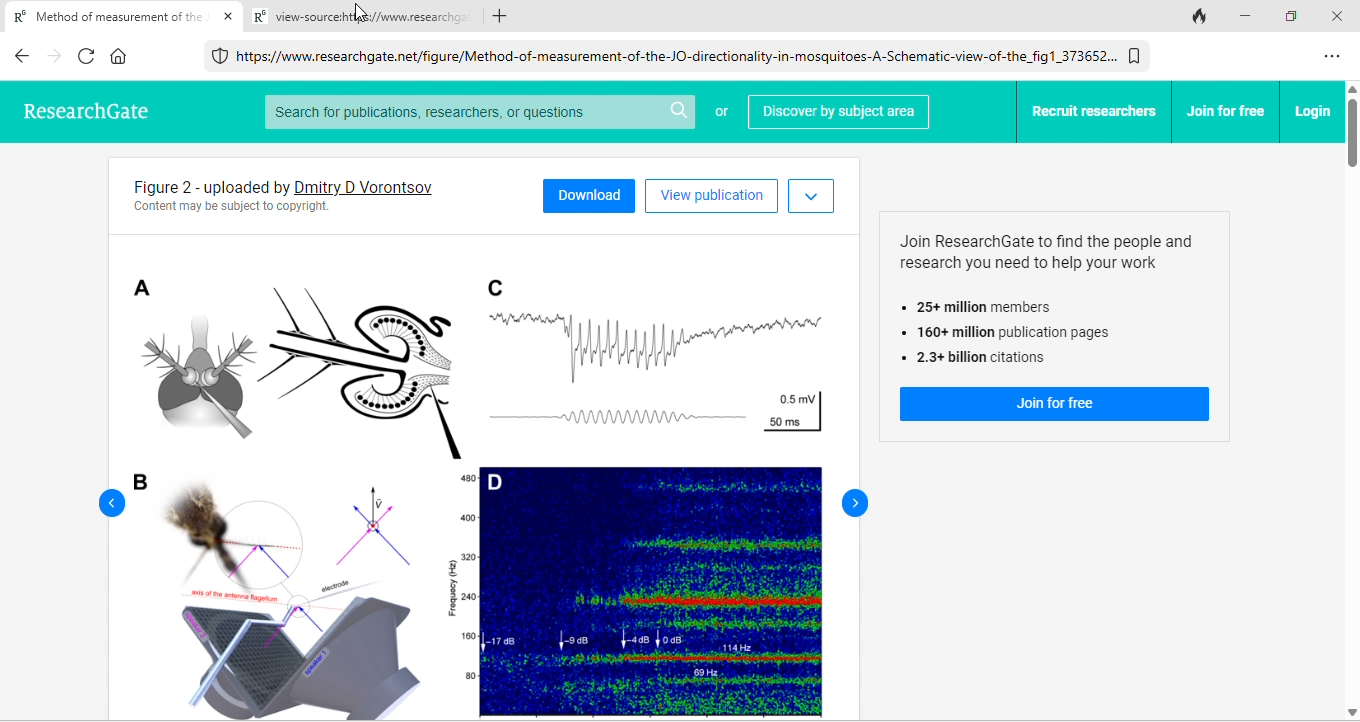 The image size is (1360, 722). I want to click on view publication, so click(712, 195).